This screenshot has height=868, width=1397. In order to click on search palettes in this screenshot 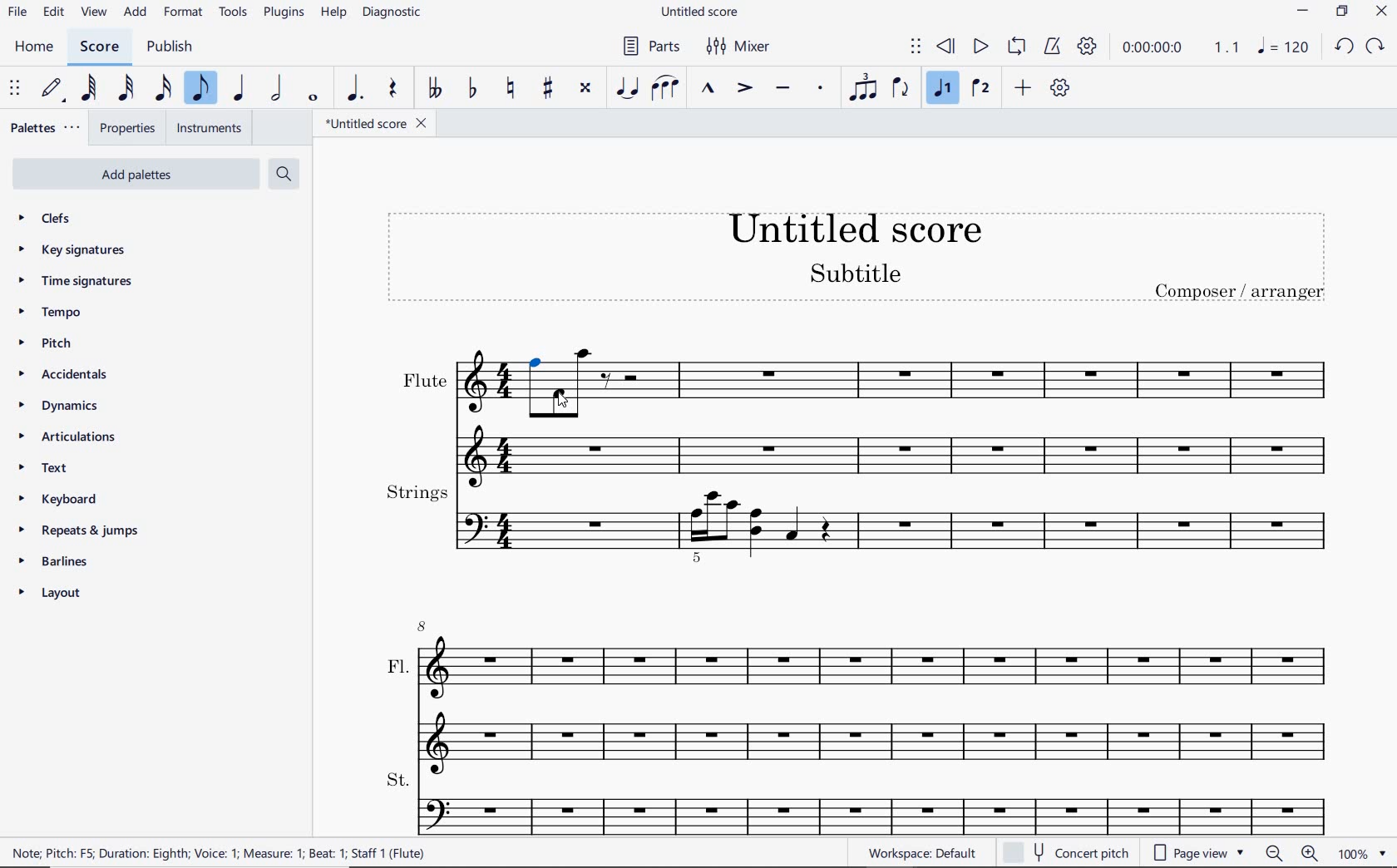, I will do `click(284, 173)`.